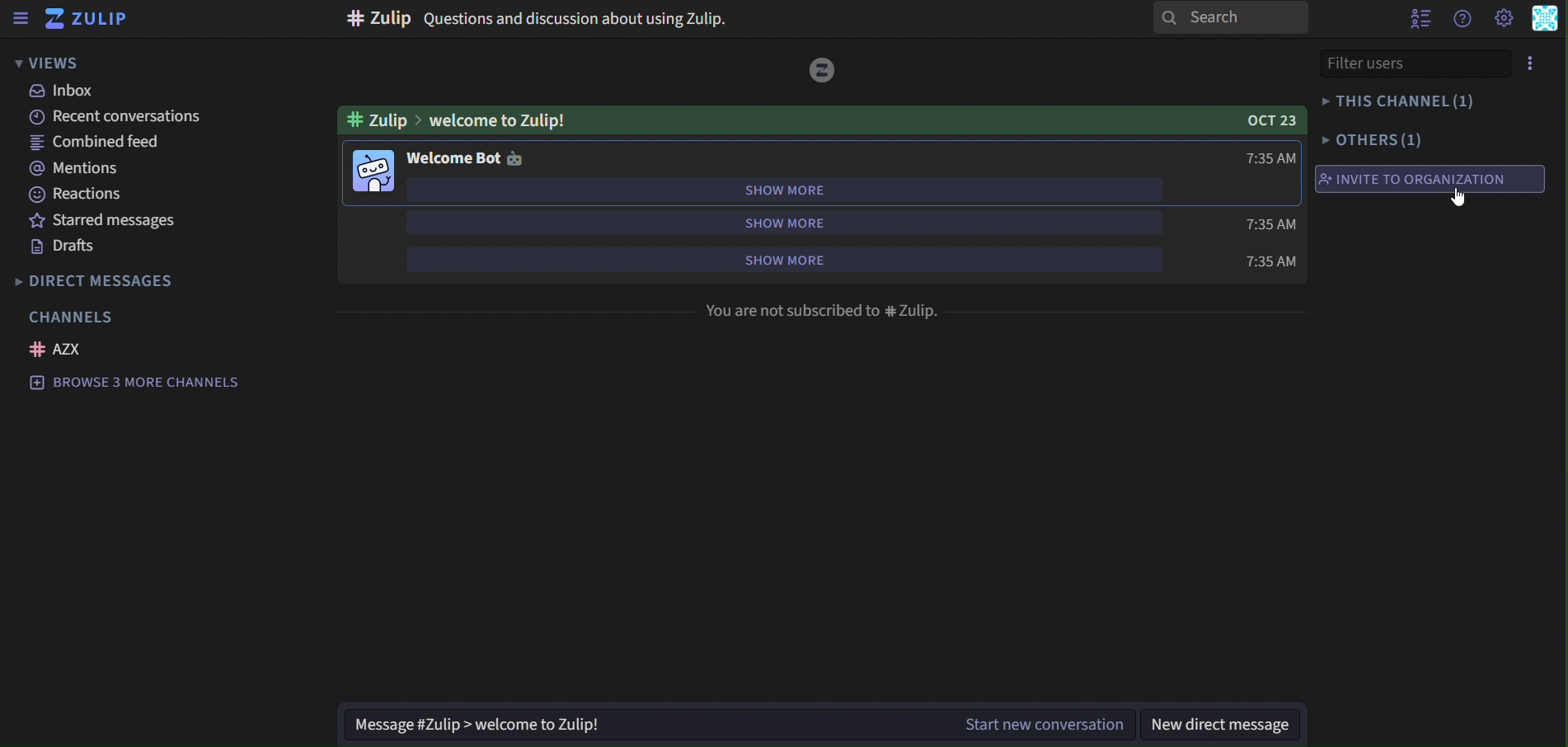 This screenshot has height=747, width=1568. Describe the element at coordinates (371, 171) in the screenshot. I see `image` at that location.